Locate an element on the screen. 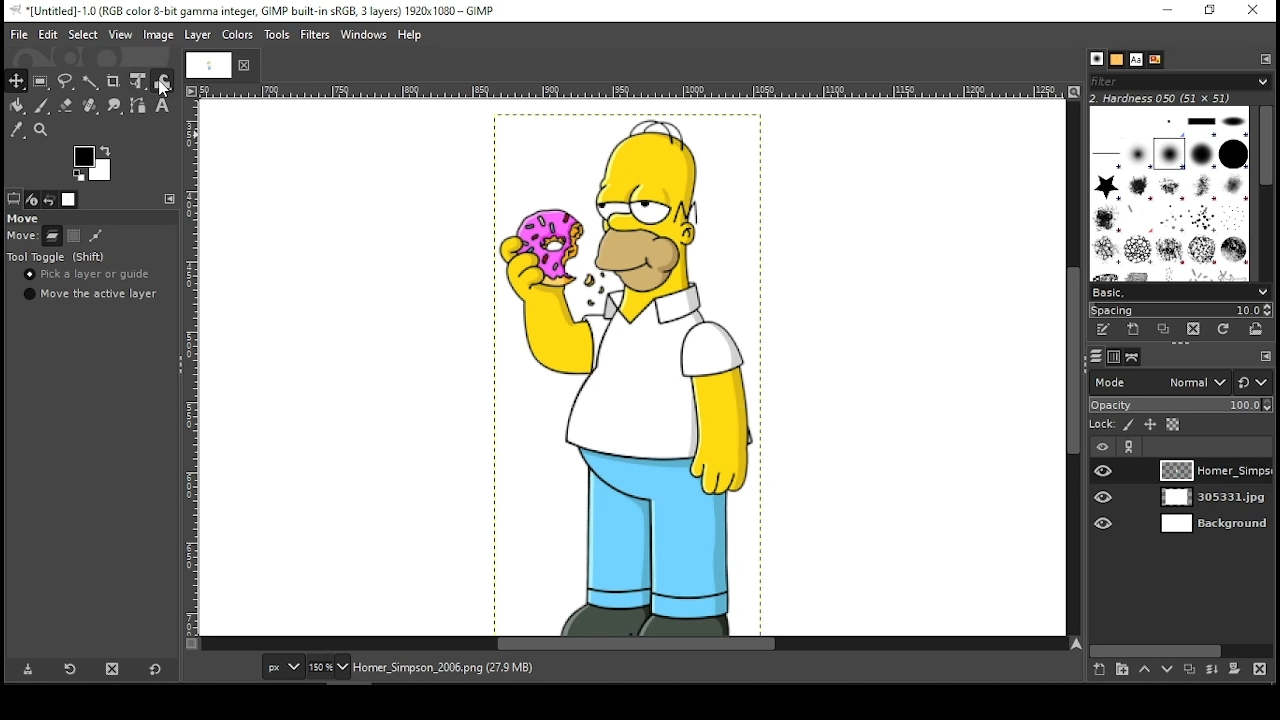  move is located at coordinates (28, 219).